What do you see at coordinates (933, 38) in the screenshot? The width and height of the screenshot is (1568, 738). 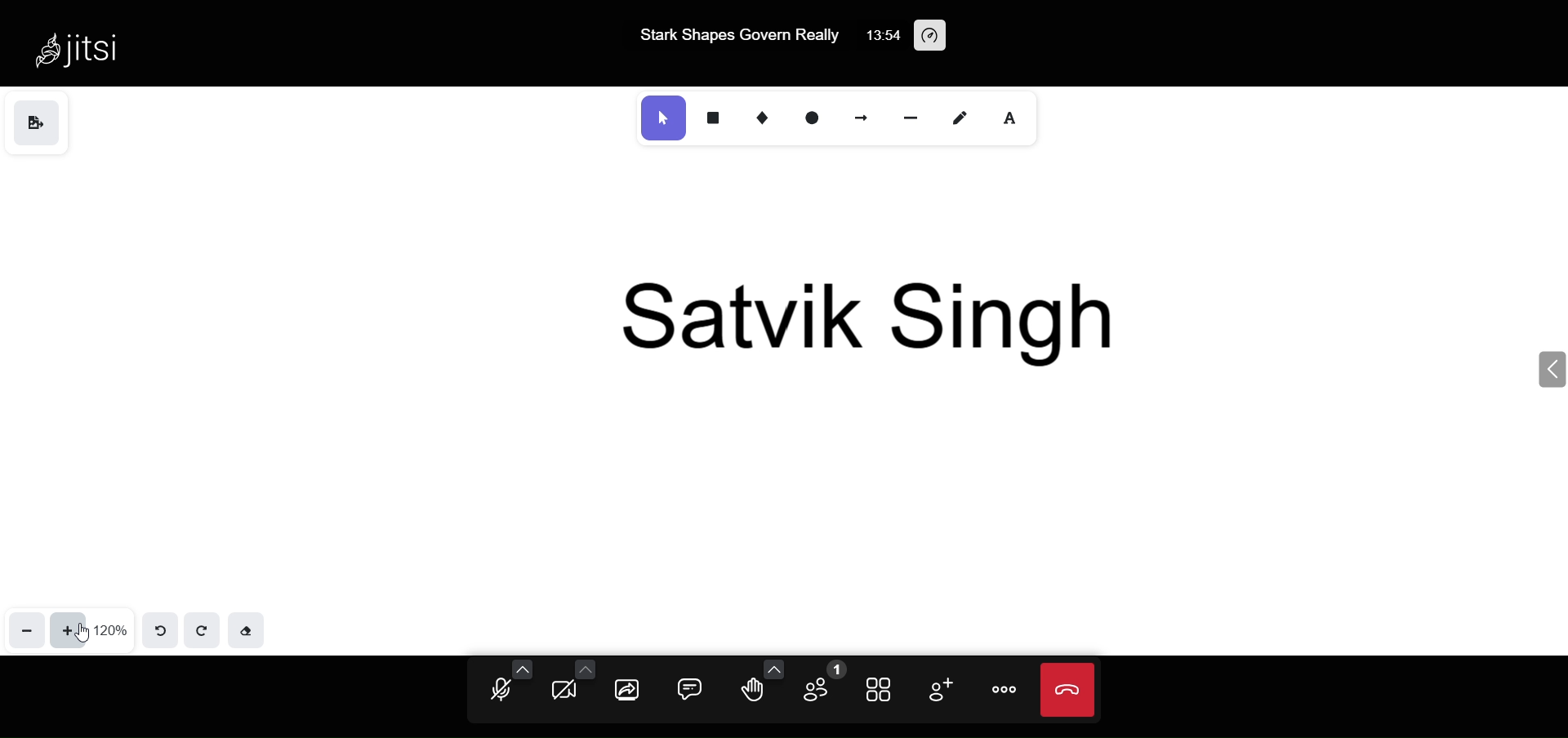 I see `performance setting` at bounding box center [933, 38].